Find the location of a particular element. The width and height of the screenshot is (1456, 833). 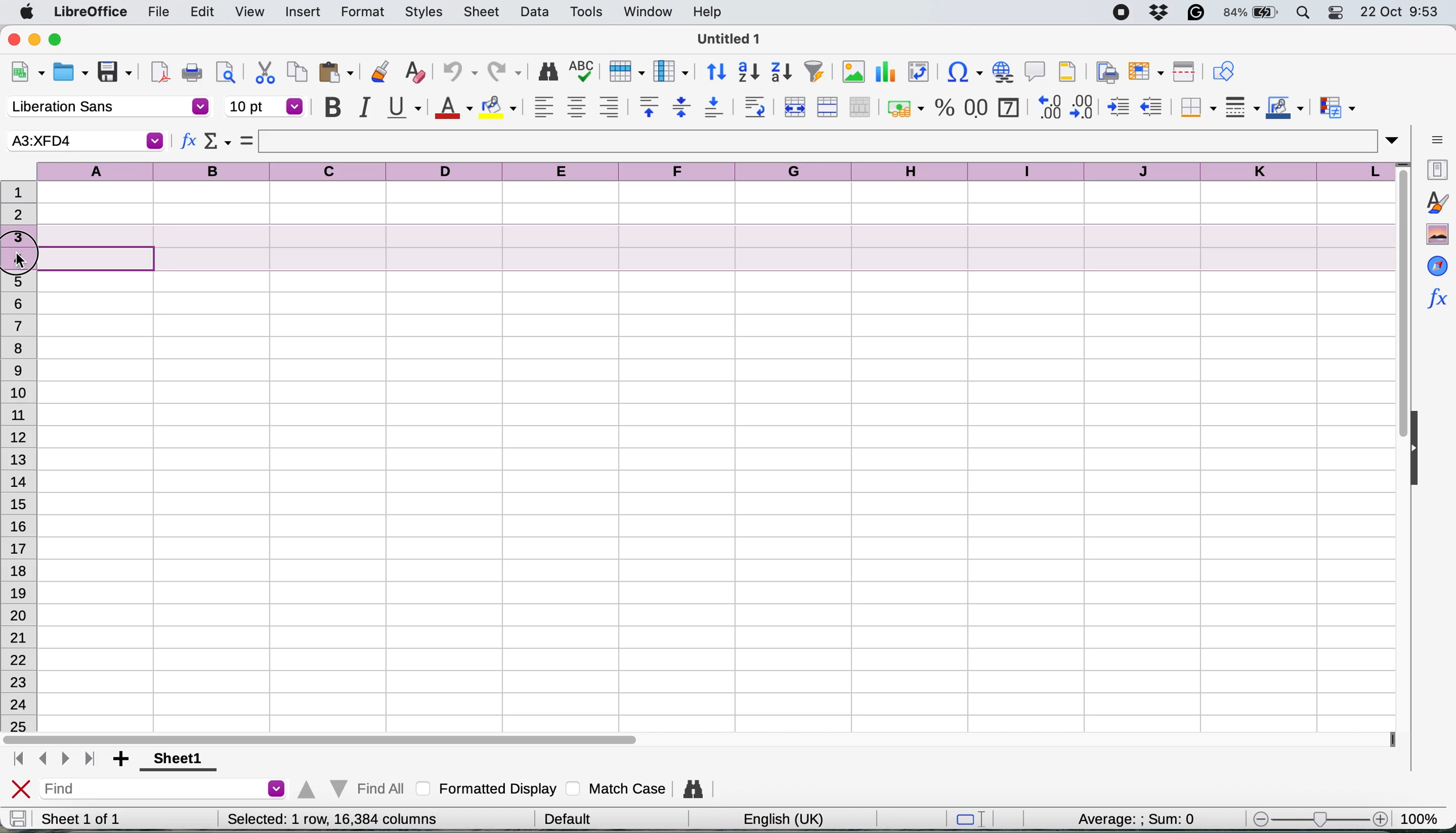

navigator is located at coordinates (1437, 265).